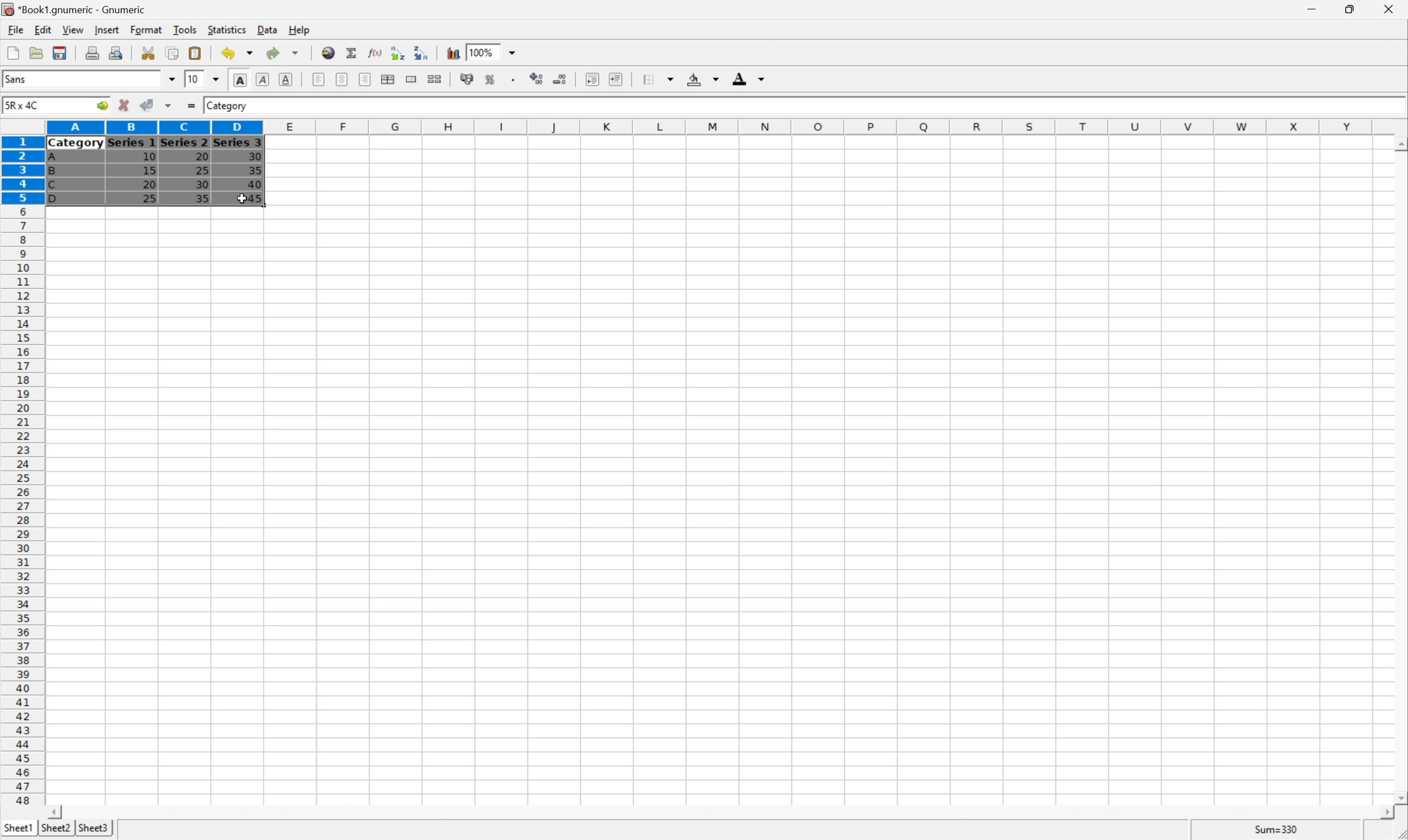 Image resolution: width=1408 pixels, height=840 pixels. What do you see at coordinates (238, 142) in the screenshot?
I see `Series 3` at bounding box center [238, 142].